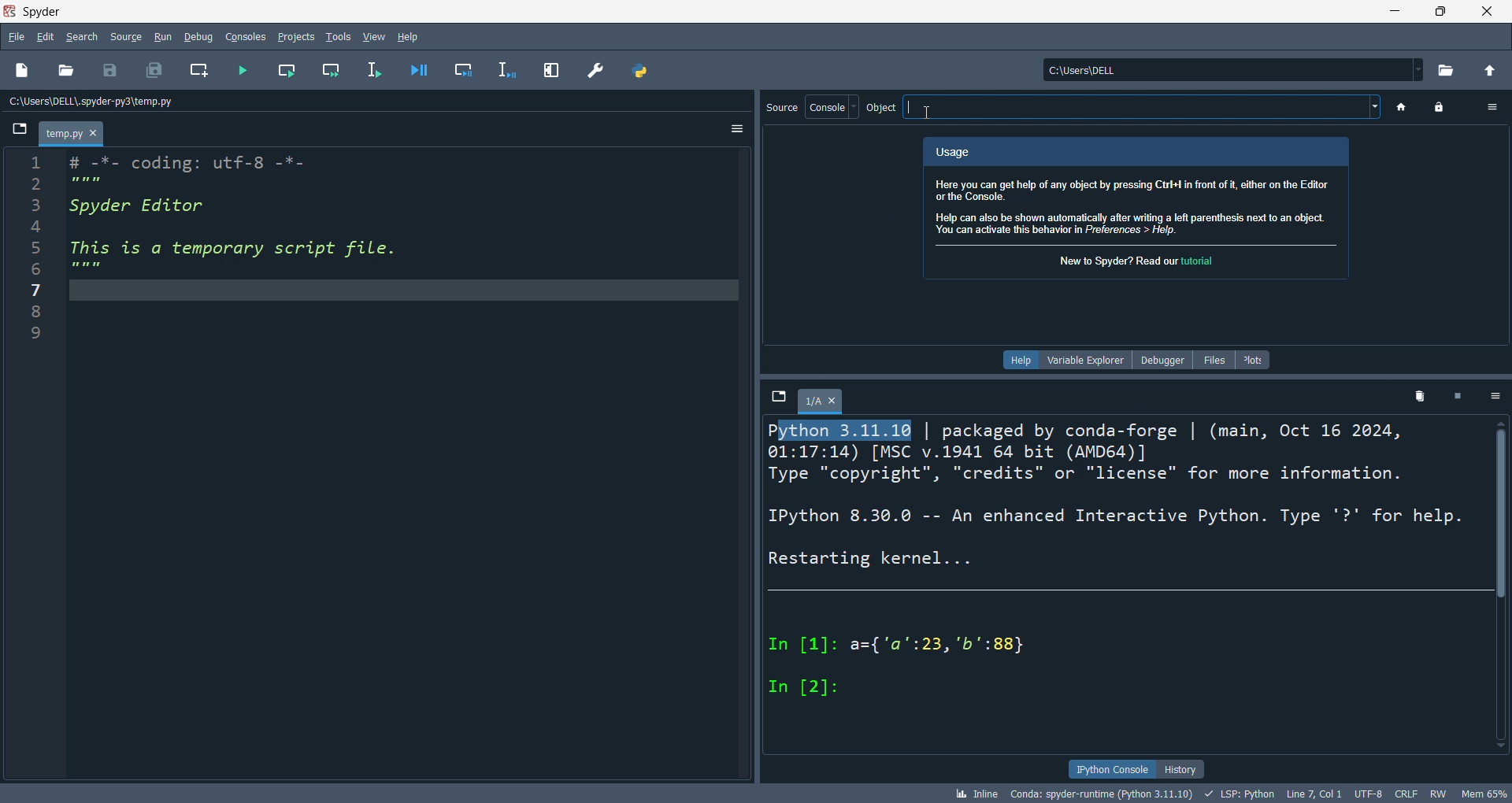  What do you see at coordinates (458, 71) in the screenshot?
I see `debug cel` at bounding box center [458, 71].